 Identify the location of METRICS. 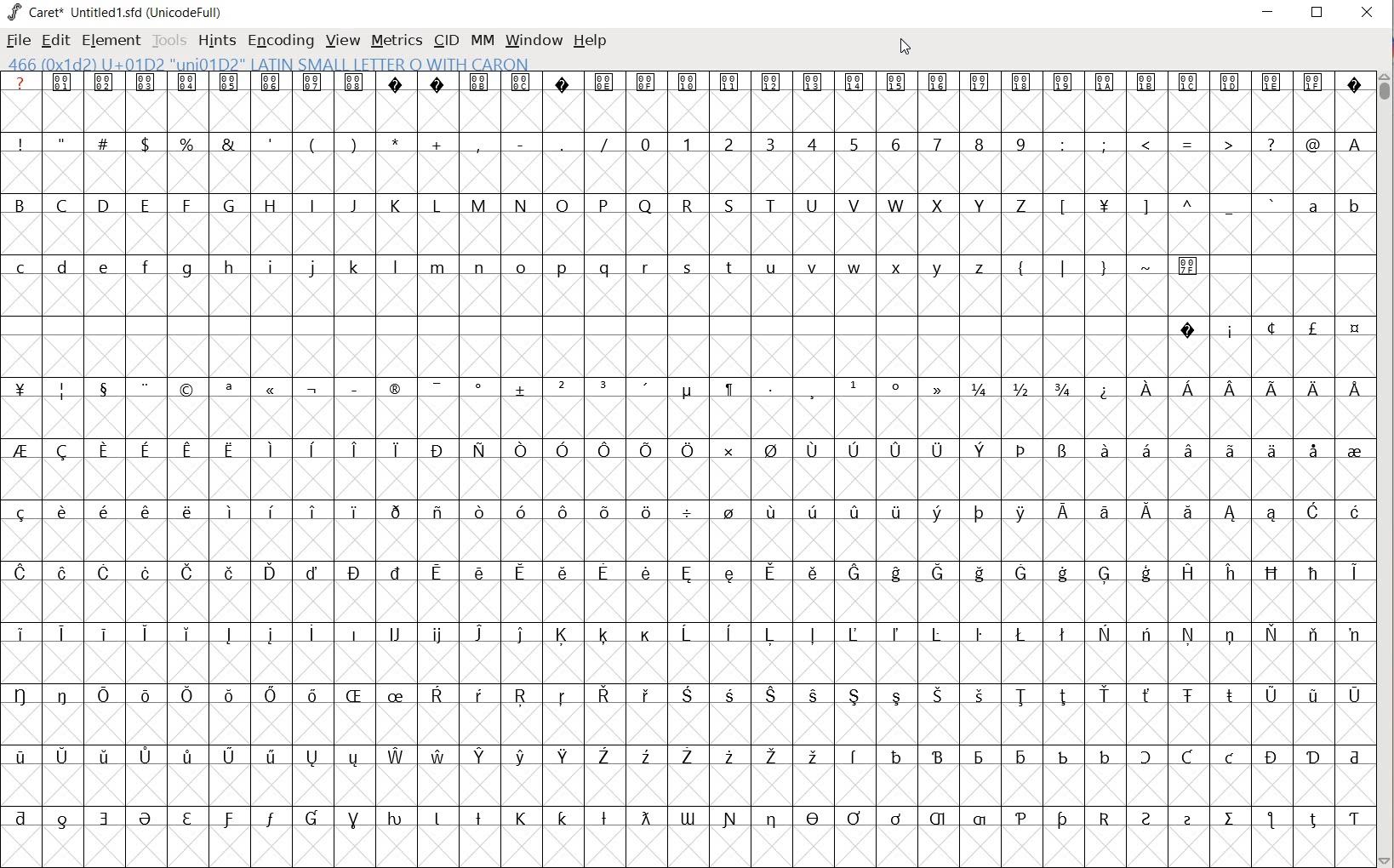
(397, 41).